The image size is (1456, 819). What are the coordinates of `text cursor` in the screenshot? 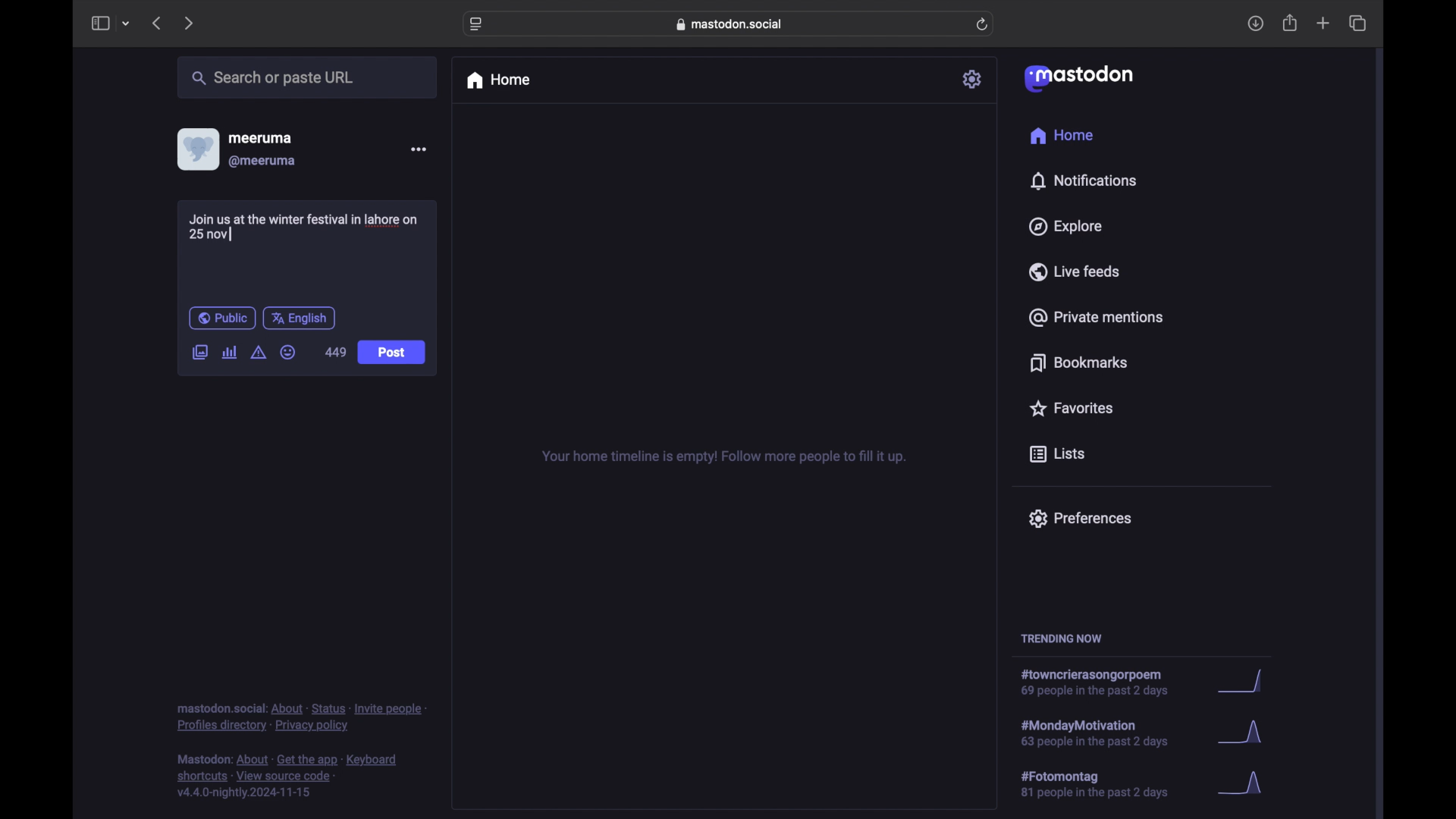 It's located at (231, 235).